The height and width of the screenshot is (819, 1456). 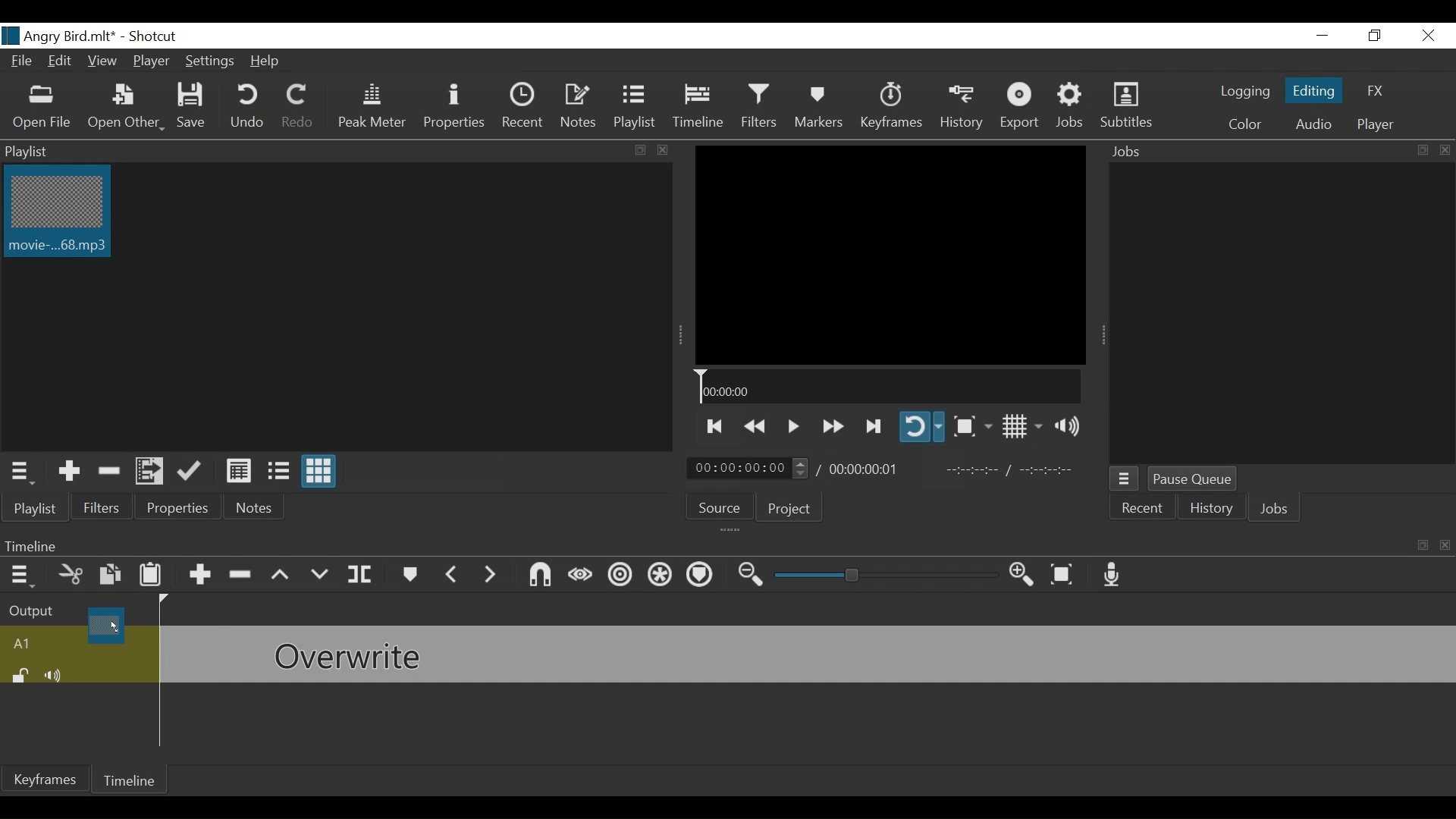 What do you see at coordinates (1126, 106) in the screenshot?
I see `Subtitles` at bounding box center [1126, 106].